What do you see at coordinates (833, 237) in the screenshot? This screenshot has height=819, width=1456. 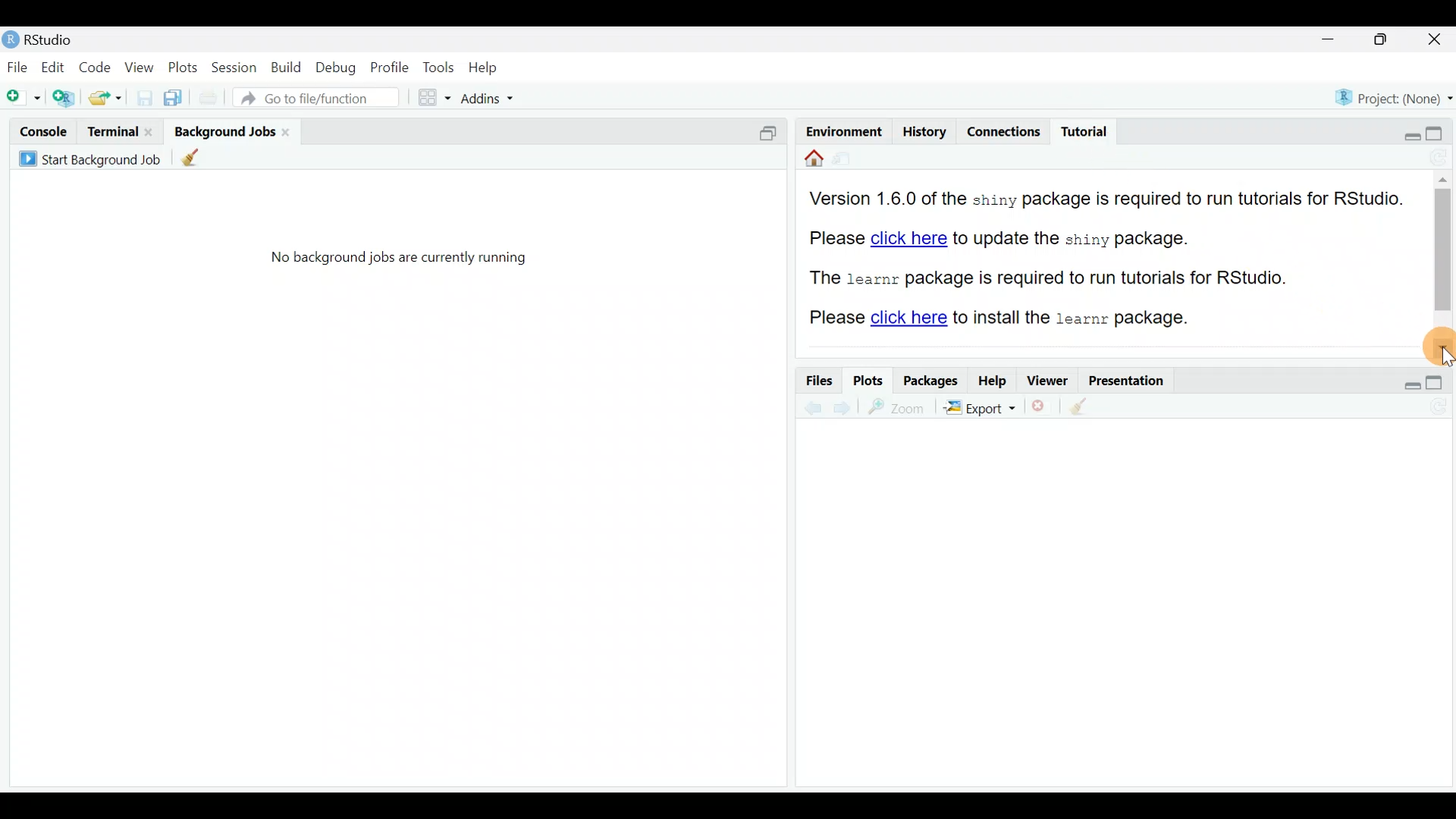 I see `Please` at bounding box center [833, 237].